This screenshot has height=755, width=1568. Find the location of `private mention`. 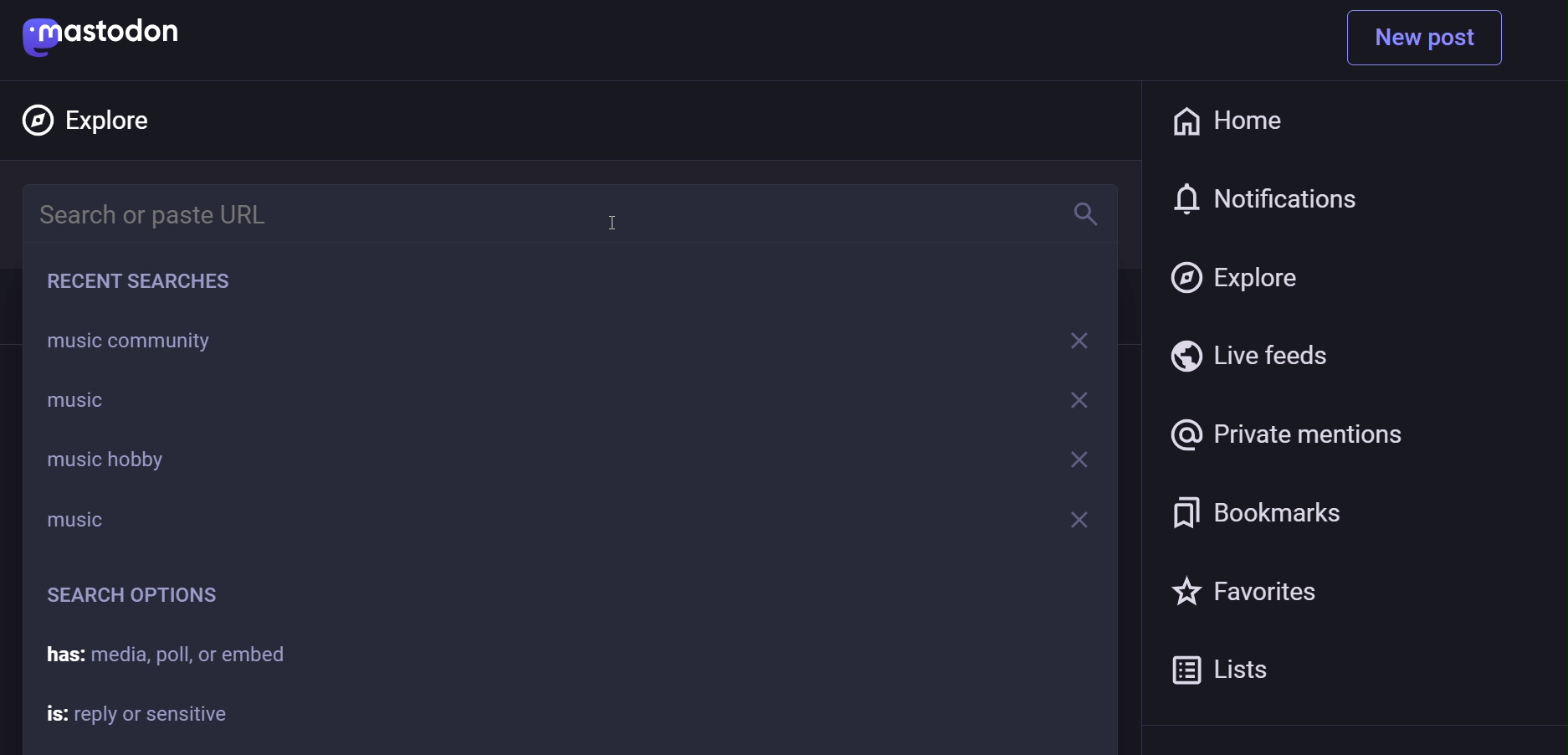

private mention is located at coordinates (1284, 434).